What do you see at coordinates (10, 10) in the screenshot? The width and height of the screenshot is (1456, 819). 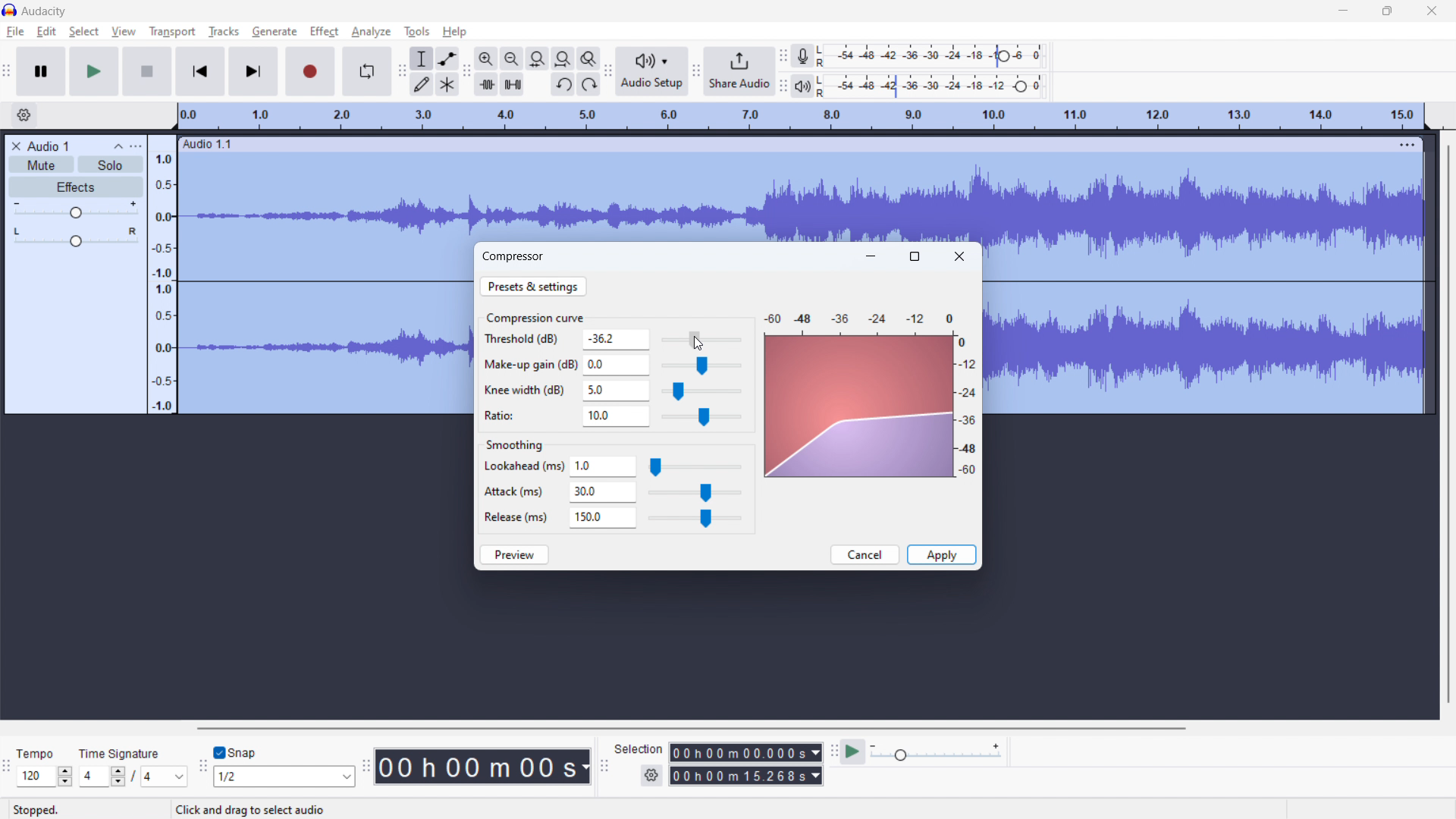 I see `Audacity logo` at bounding box center [10, 10].